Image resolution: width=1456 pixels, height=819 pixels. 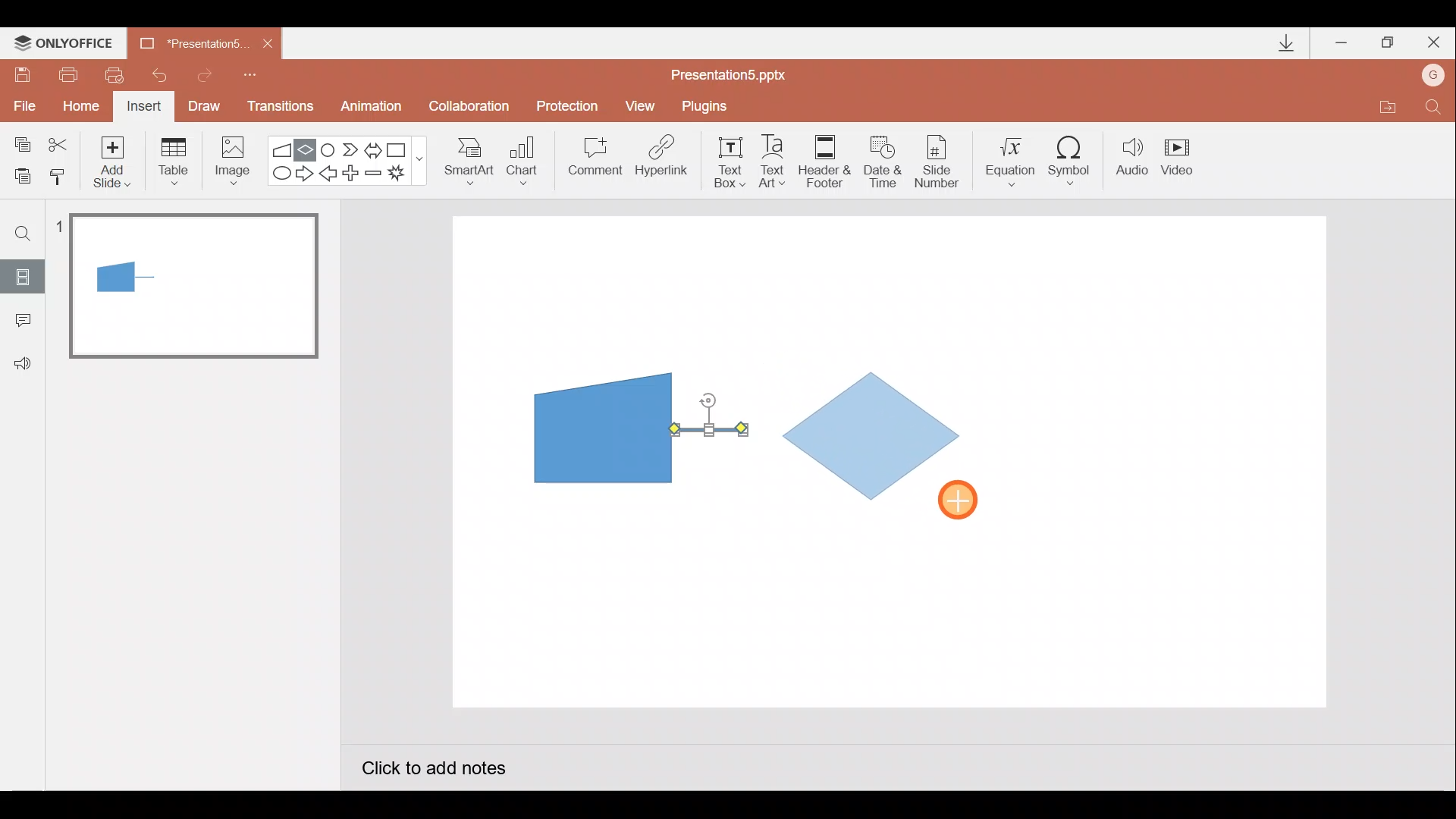 I want to click on View, so click(x=642, y=105).